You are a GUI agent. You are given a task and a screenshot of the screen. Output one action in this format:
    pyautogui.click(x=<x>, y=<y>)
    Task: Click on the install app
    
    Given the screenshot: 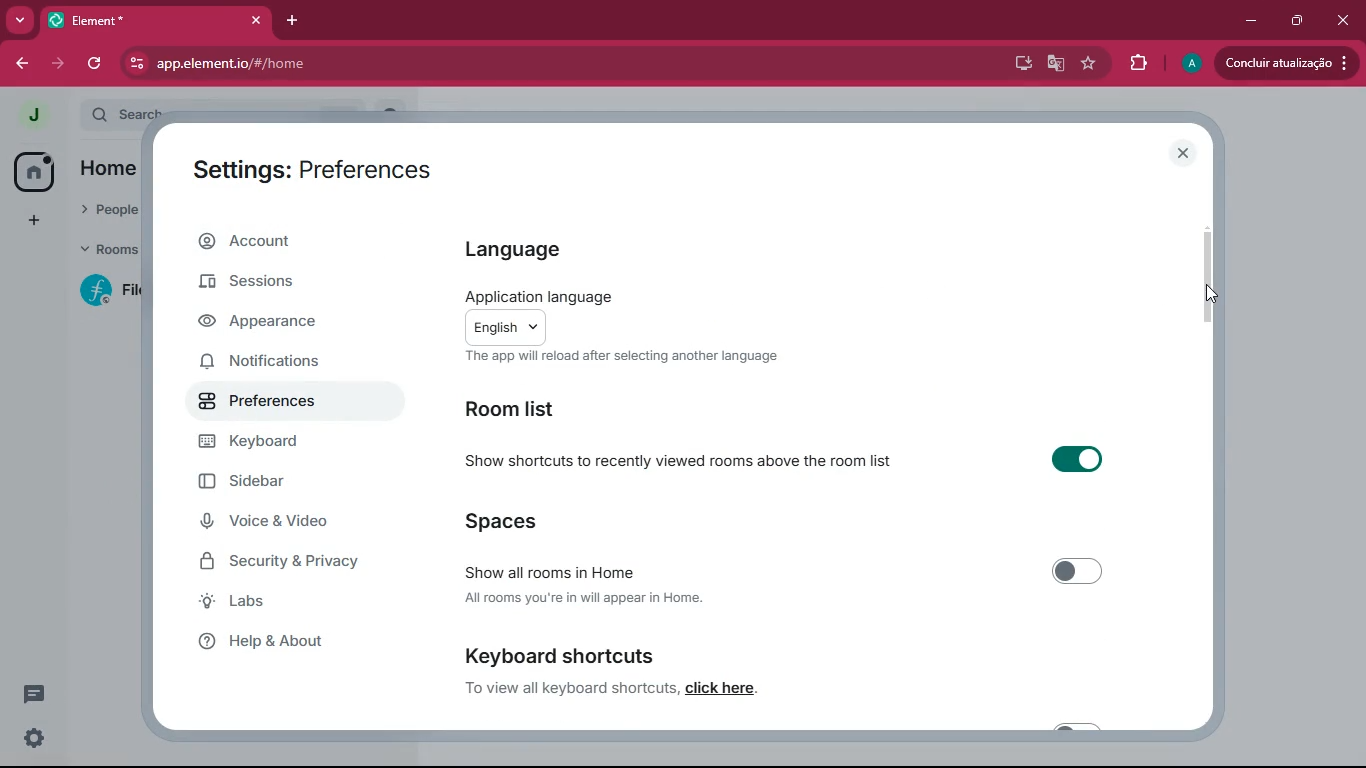 What is the action you would take?
    pyautogui.click(x=1016, y=61)
    